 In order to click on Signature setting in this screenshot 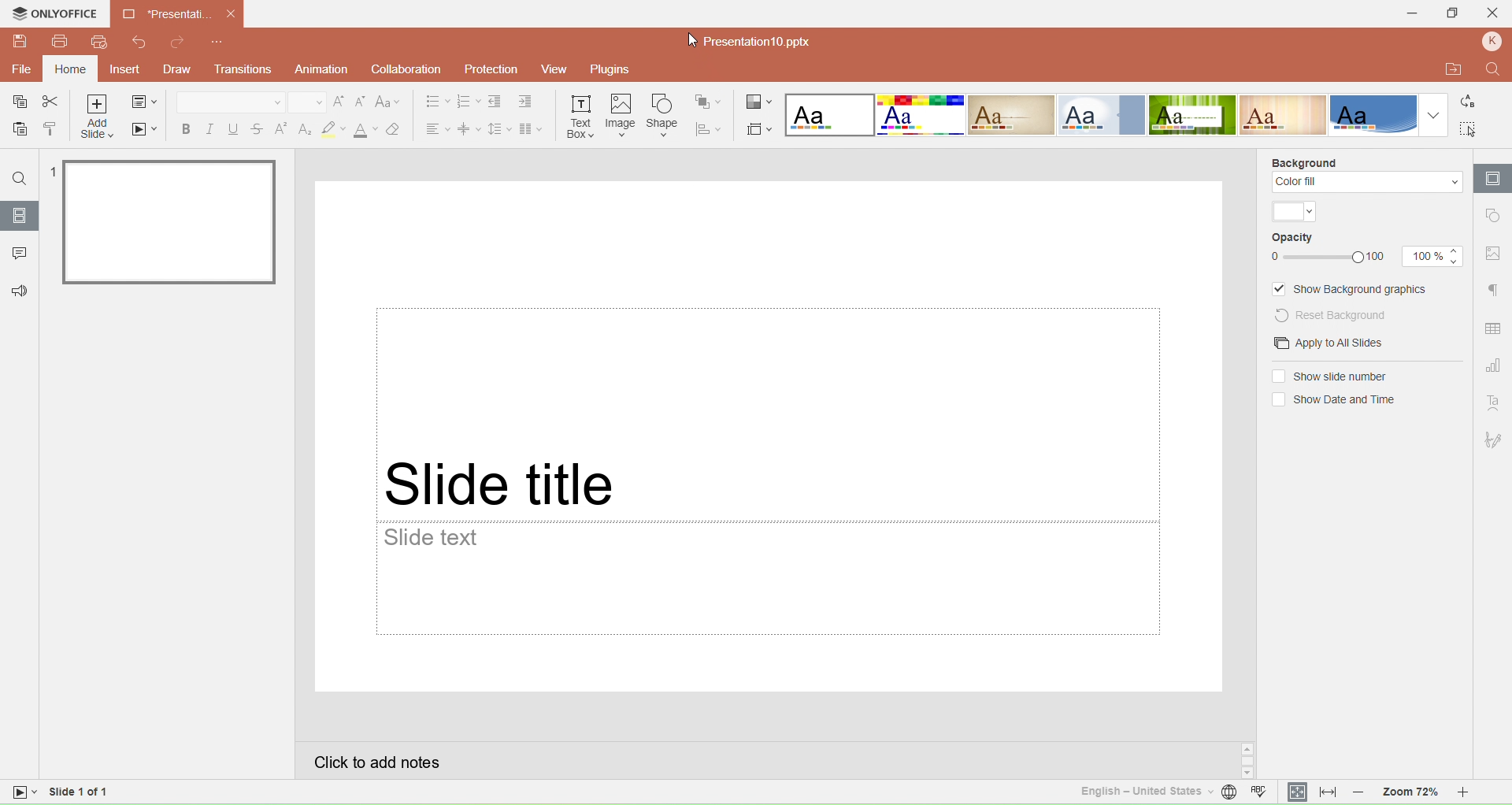, I will do `click(1495, 439)`.